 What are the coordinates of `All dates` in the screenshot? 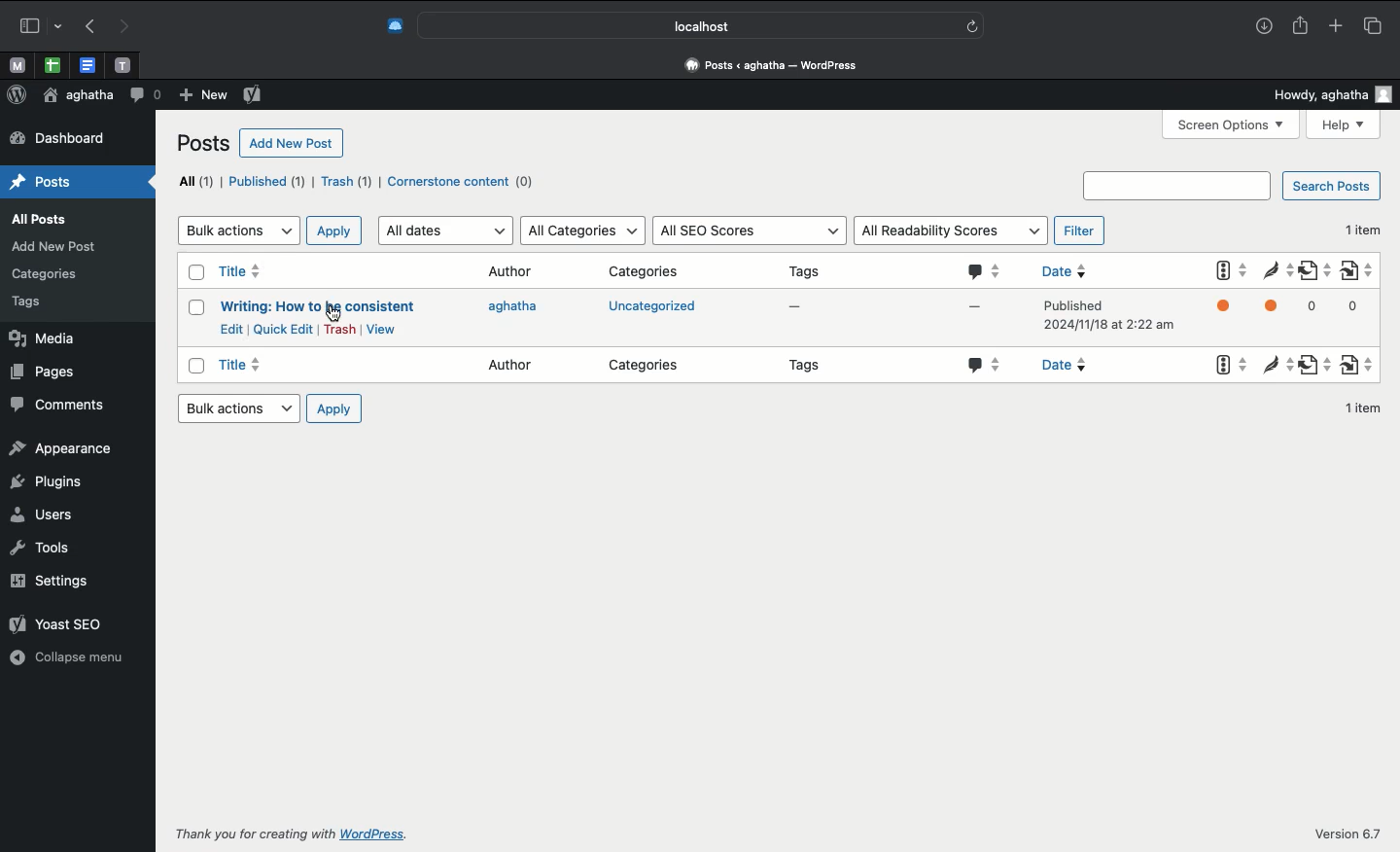 It's located at (445, 231).